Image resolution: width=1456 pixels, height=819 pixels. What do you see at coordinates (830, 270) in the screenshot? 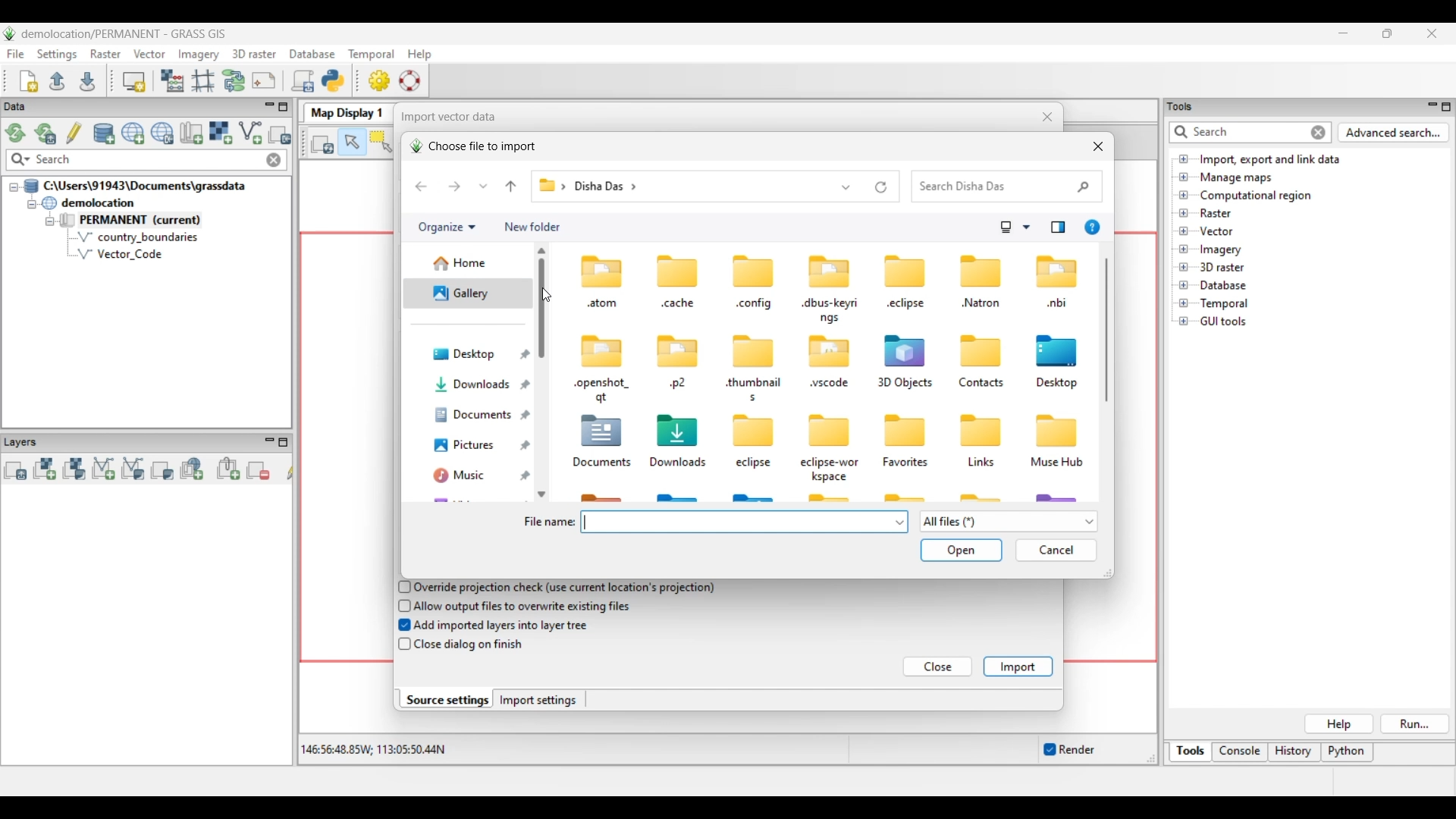
I see `icon` at bounding box center [830, 270].